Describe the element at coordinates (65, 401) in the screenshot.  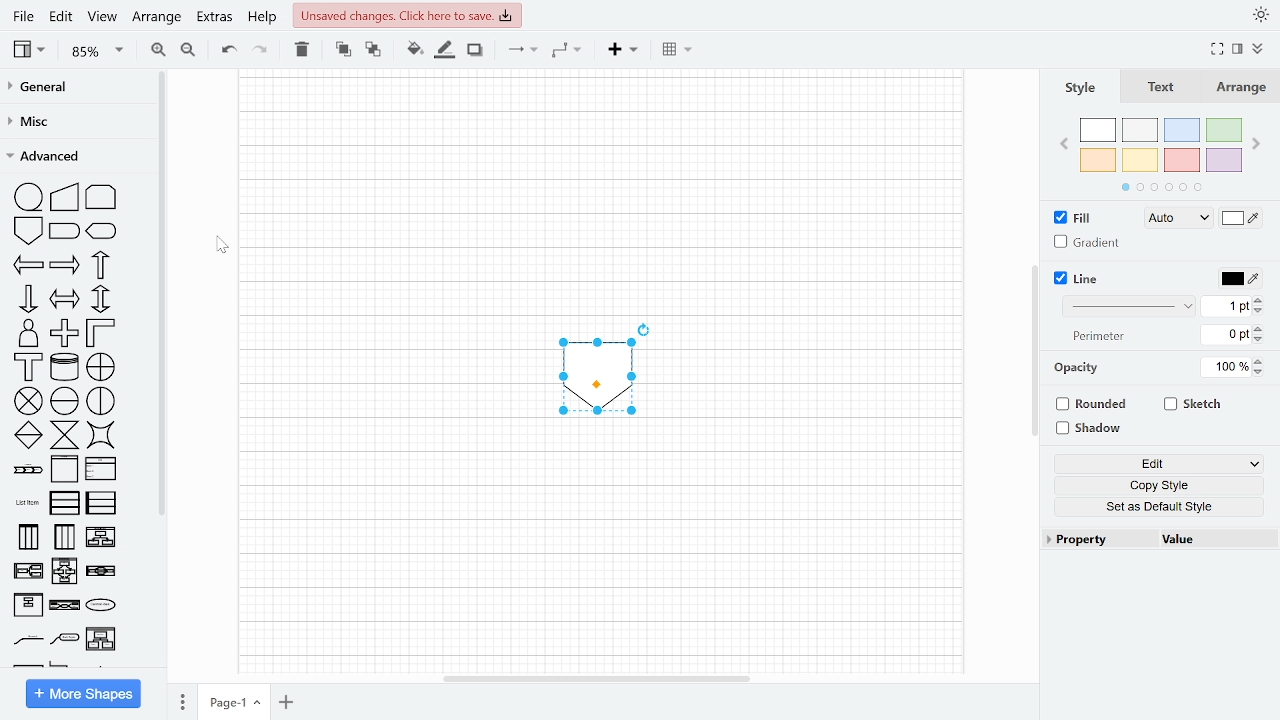
I see `ellipse with horizontal connector` at that location.